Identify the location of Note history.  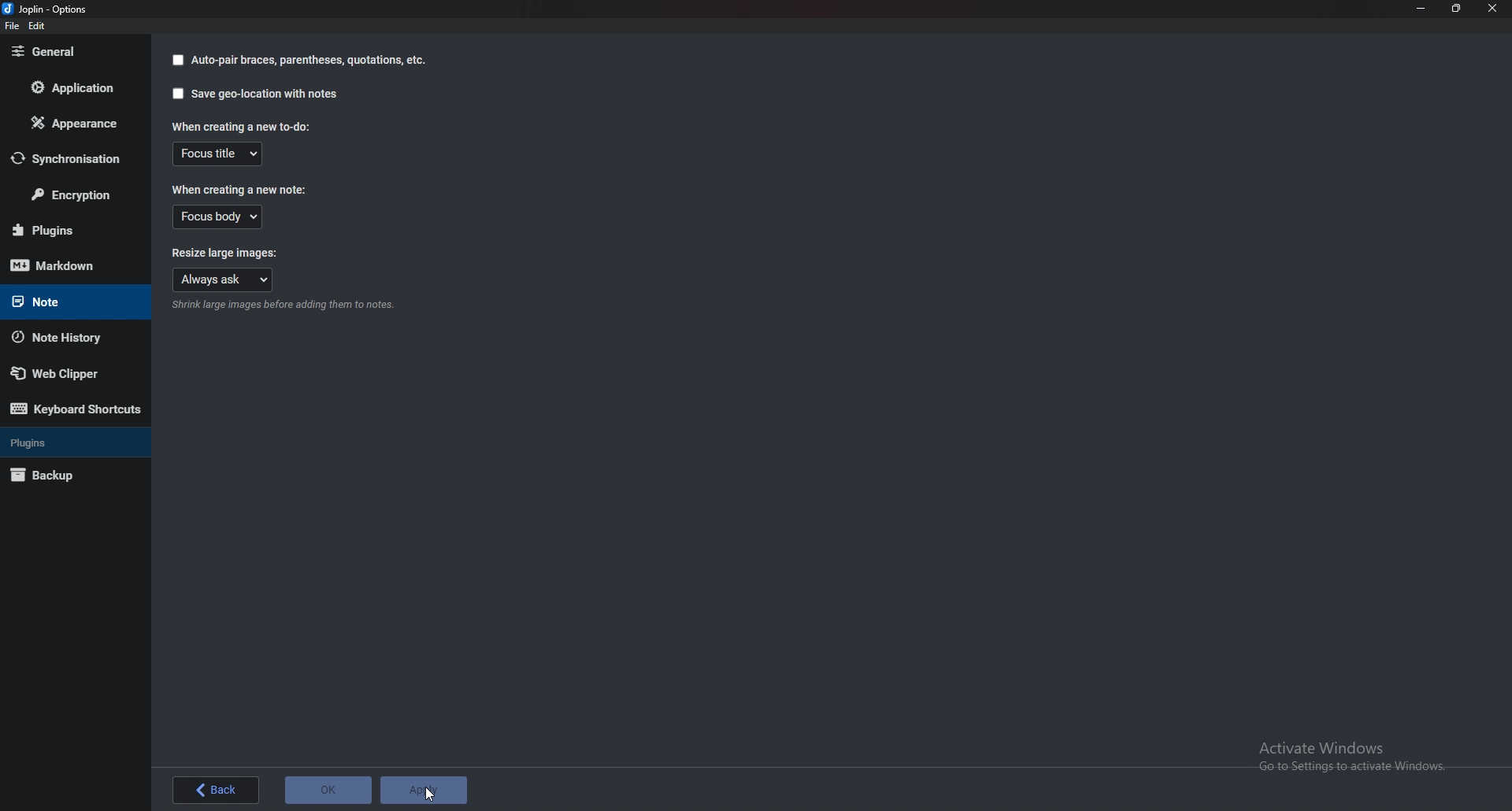
(65, 337).